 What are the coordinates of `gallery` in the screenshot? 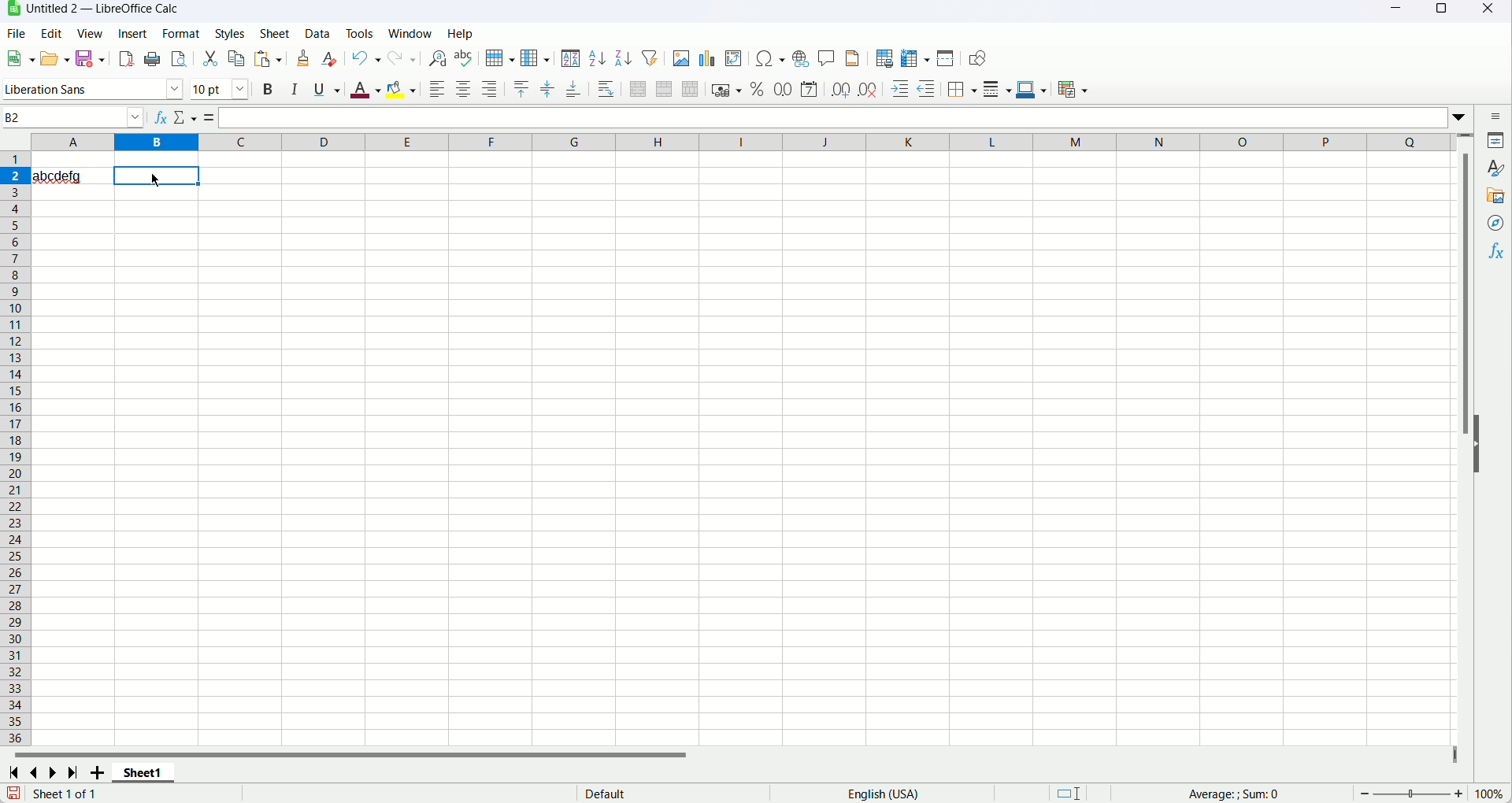 It's located at (1495, 197).